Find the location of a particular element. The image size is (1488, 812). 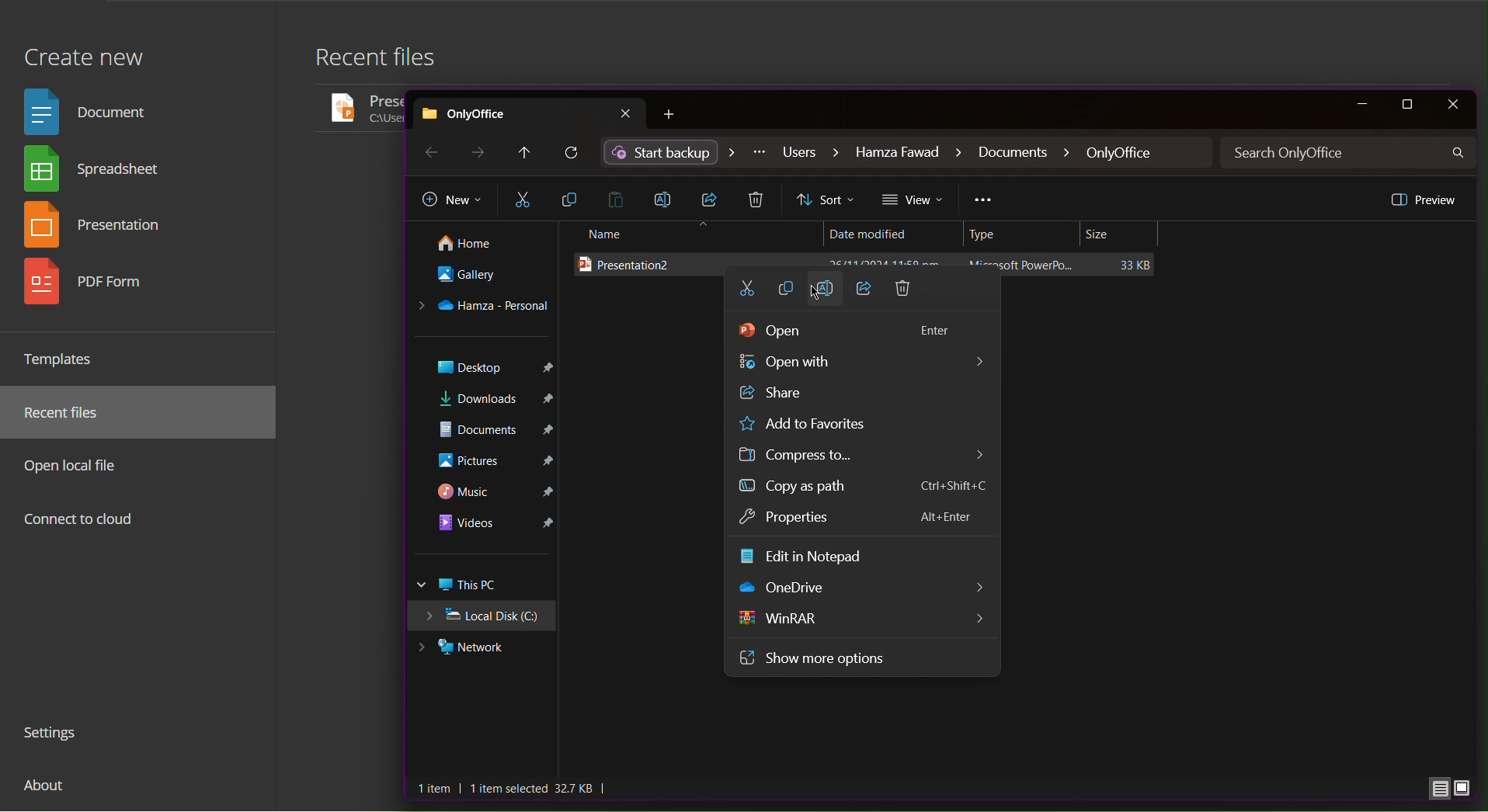

Presentation 2 is located at coordinates (870, 265).